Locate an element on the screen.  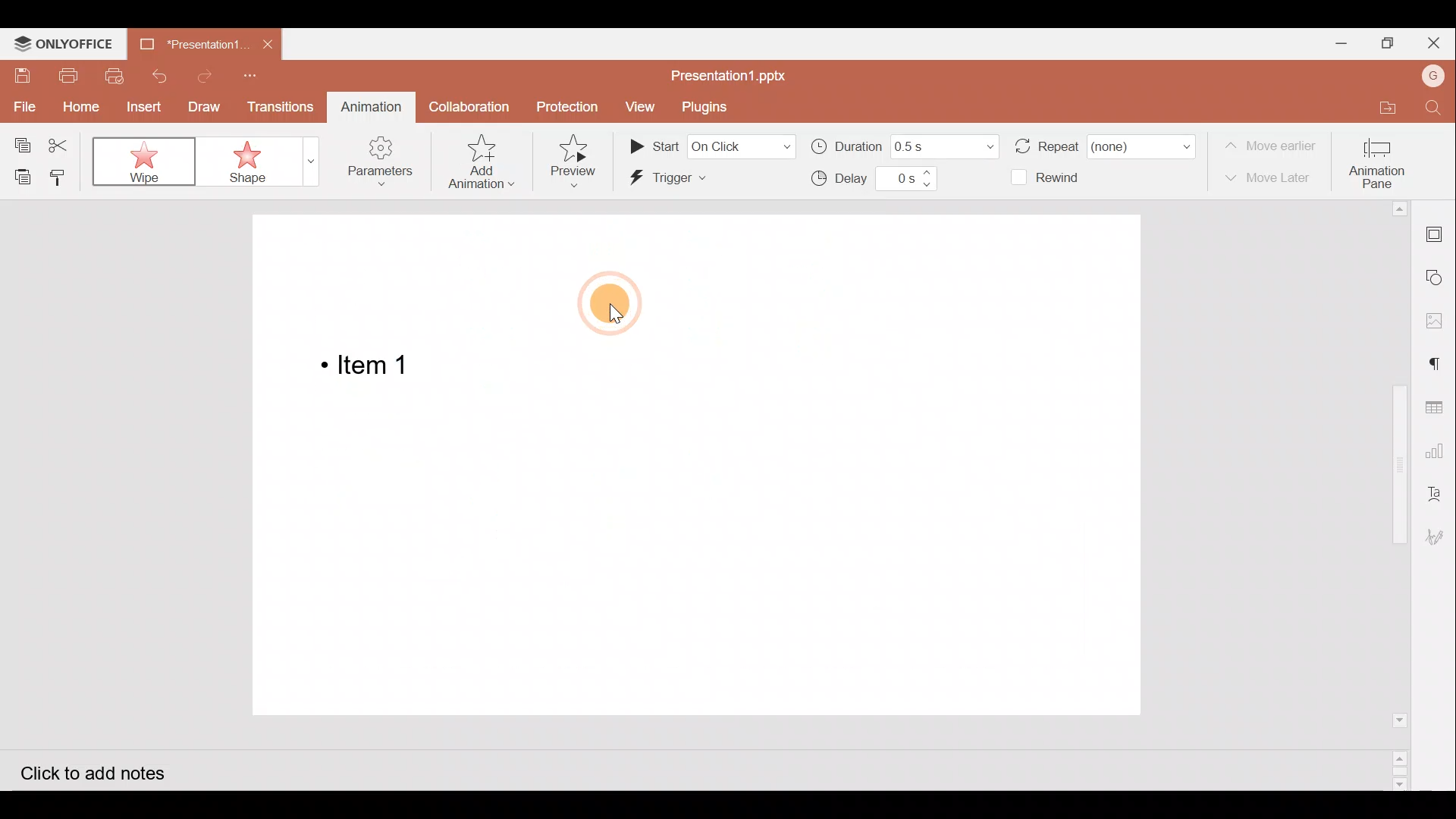
Trigger is located at coordinates (698, 179).